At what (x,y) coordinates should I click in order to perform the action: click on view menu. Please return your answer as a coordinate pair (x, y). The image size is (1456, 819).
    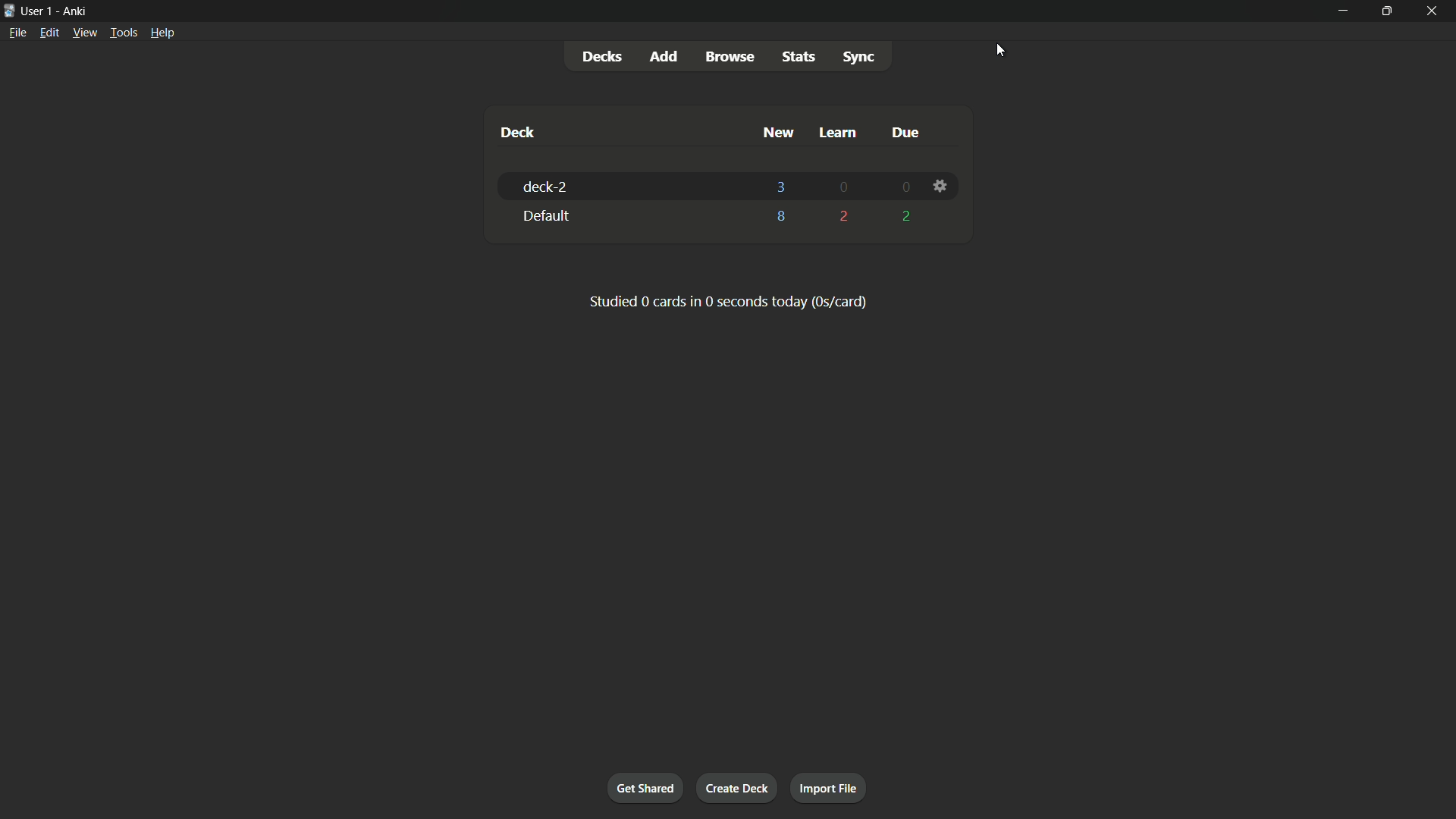
    Looking at the image, I should click on (85, 33).